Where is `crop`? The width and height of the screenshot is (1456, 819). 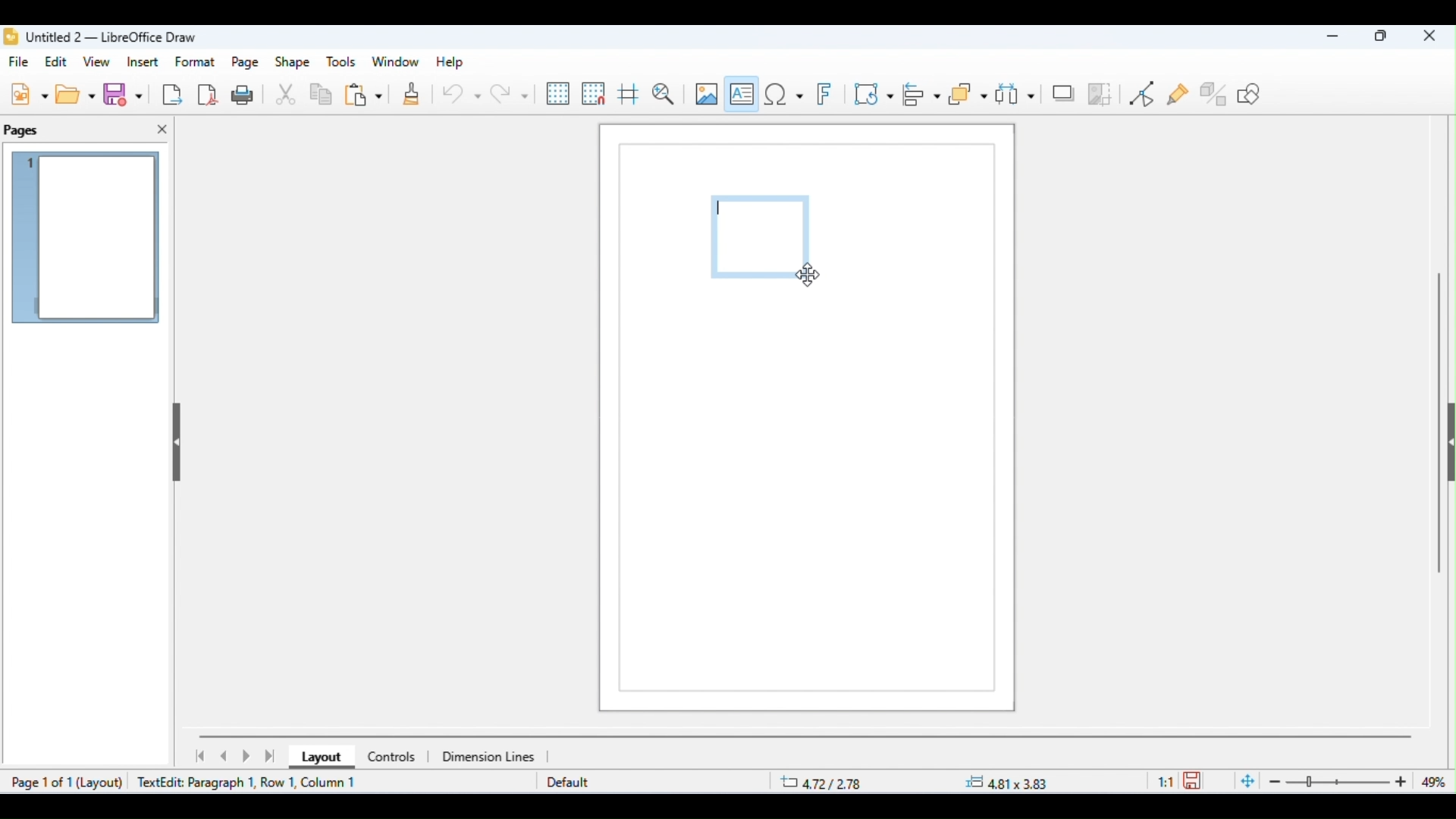
crop is located at coordinates (1100, 93).